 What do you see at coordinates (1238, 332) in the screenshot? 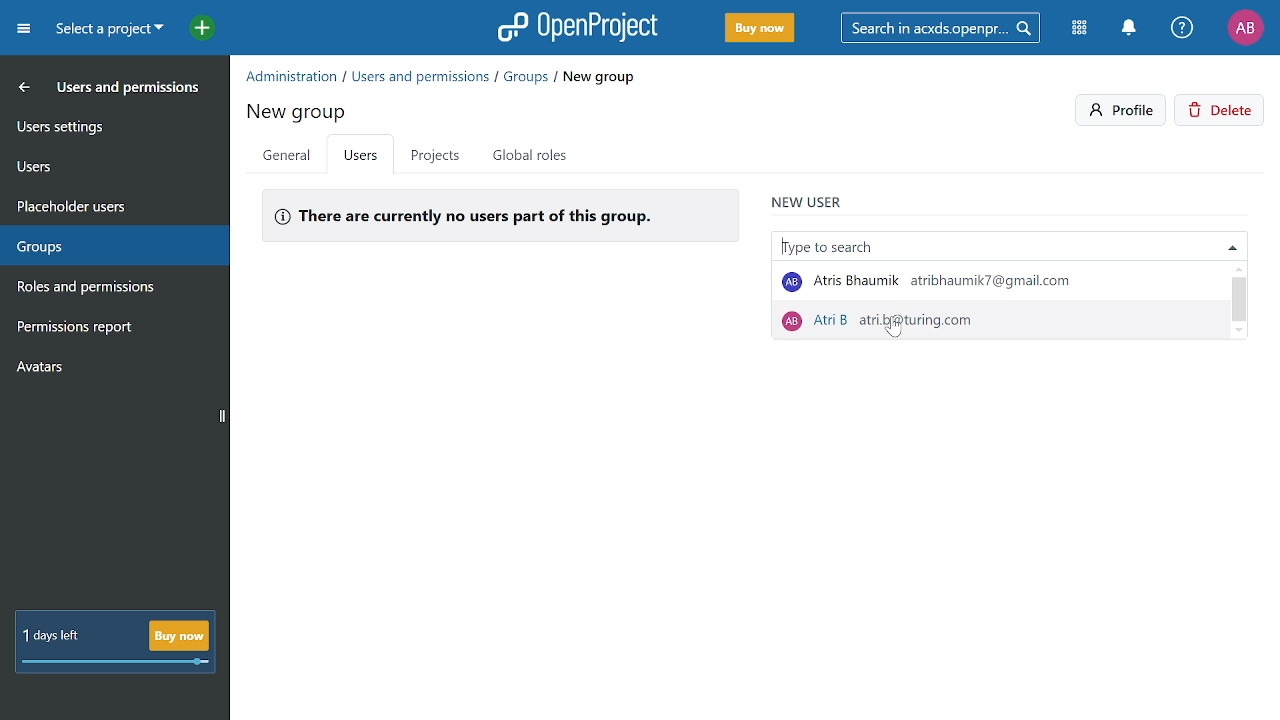
I see `Move down` at bounding box center [1238, 332].